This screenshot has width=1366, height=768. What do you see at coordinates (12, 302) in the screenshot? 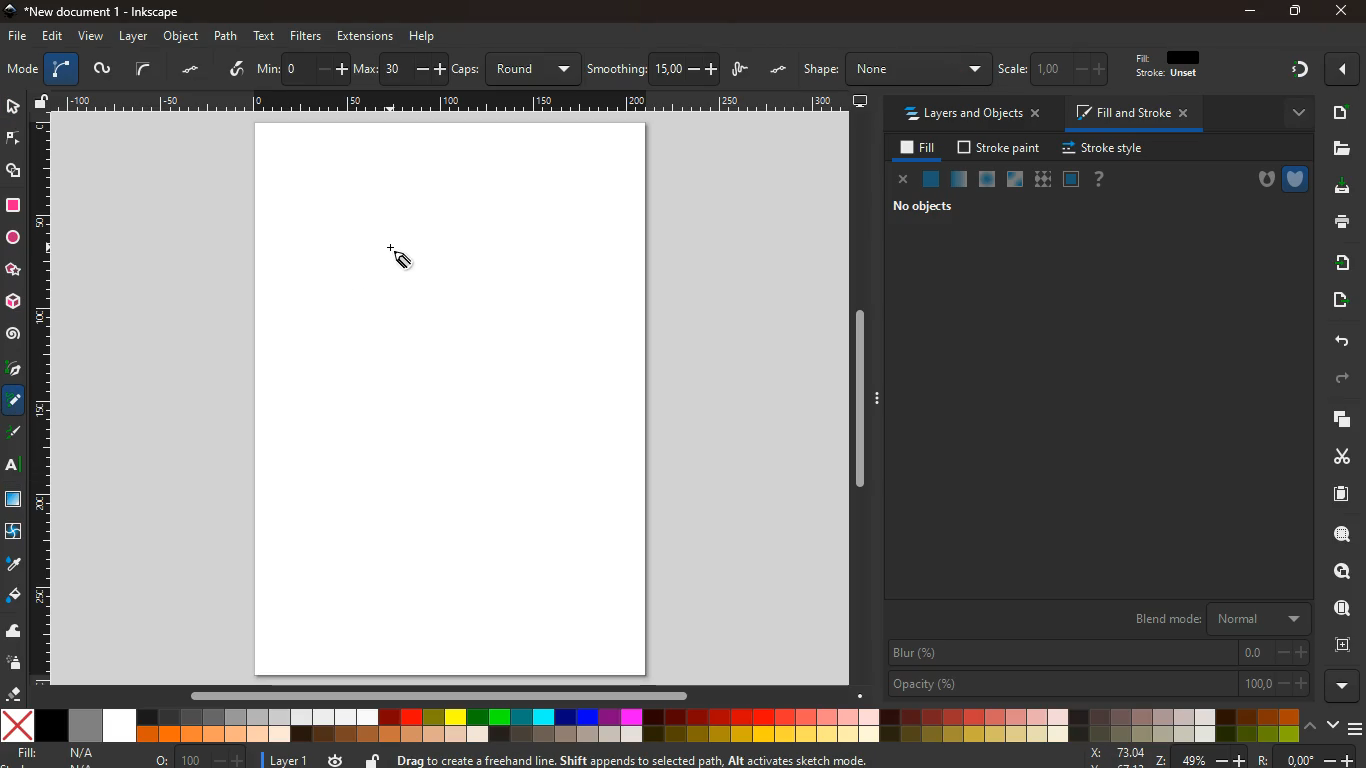
I see `3d tool` at bounding box center [12, 302].